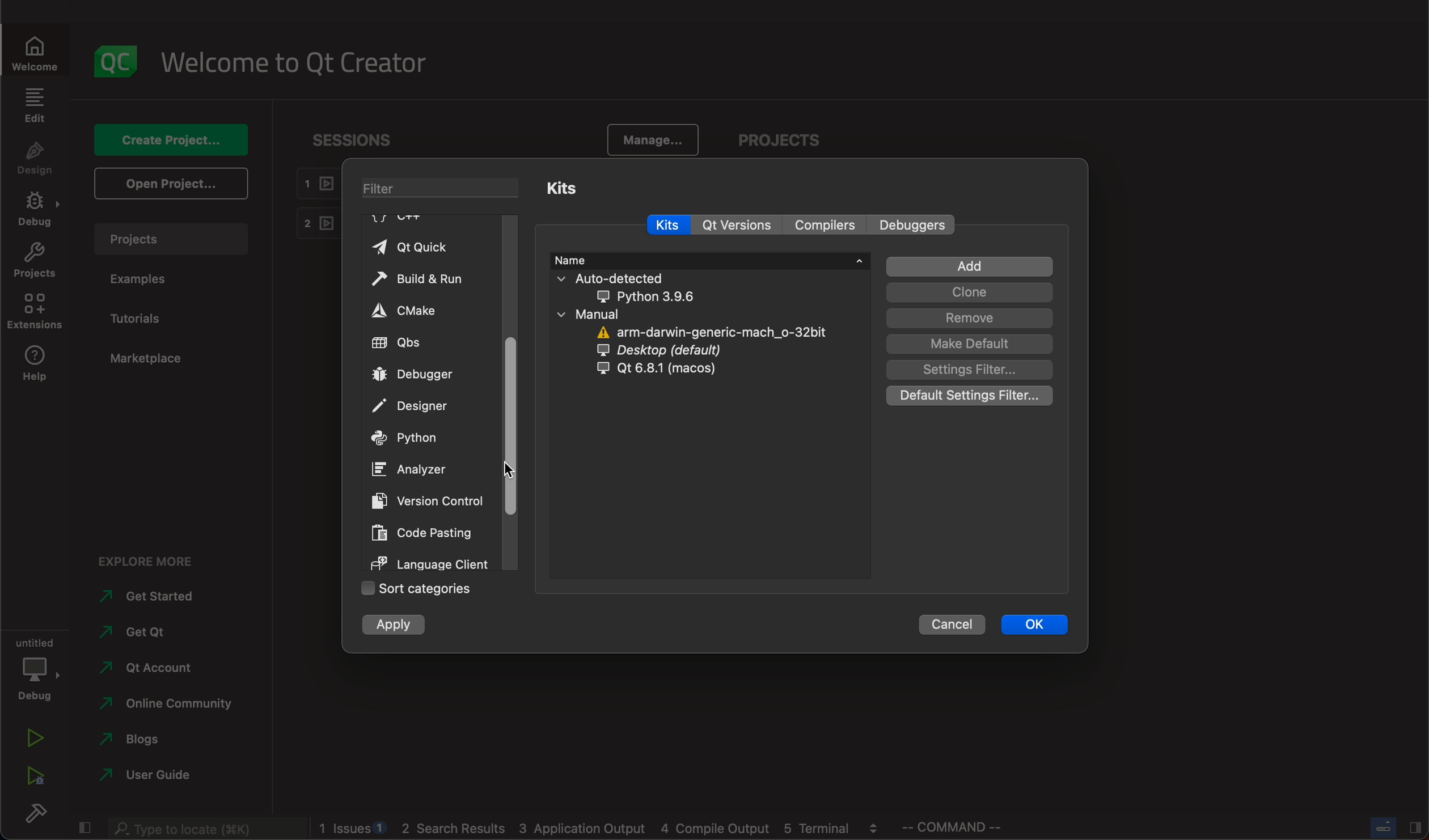  Describe the element at coordinates (425, 278) in the screenshot. I see `build and run` at that location.